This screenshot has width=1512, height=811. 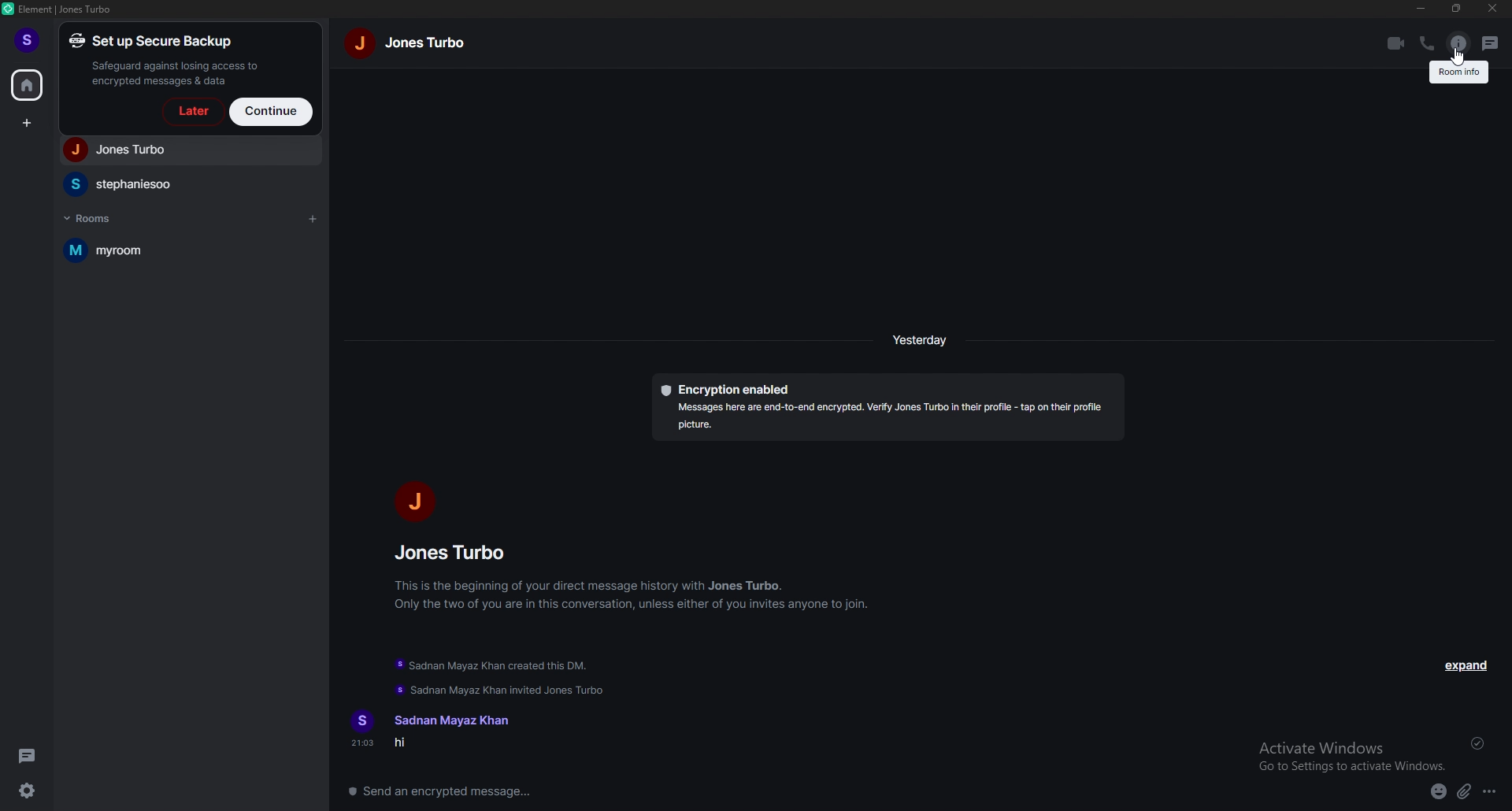 I want to click on encryption description, so click(x=888, y=409).